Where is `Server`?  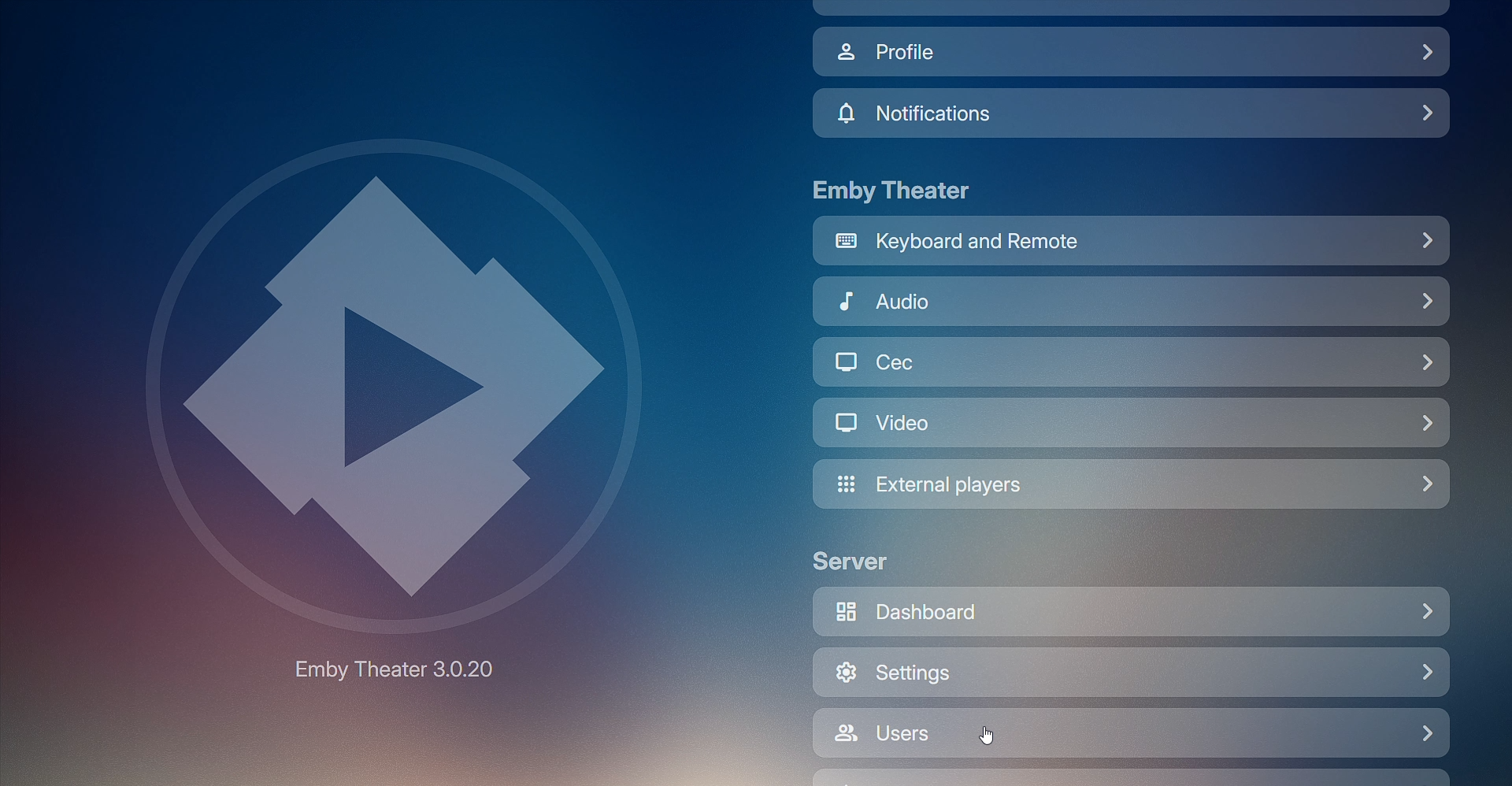
Server is located at coordinates (866, 561).